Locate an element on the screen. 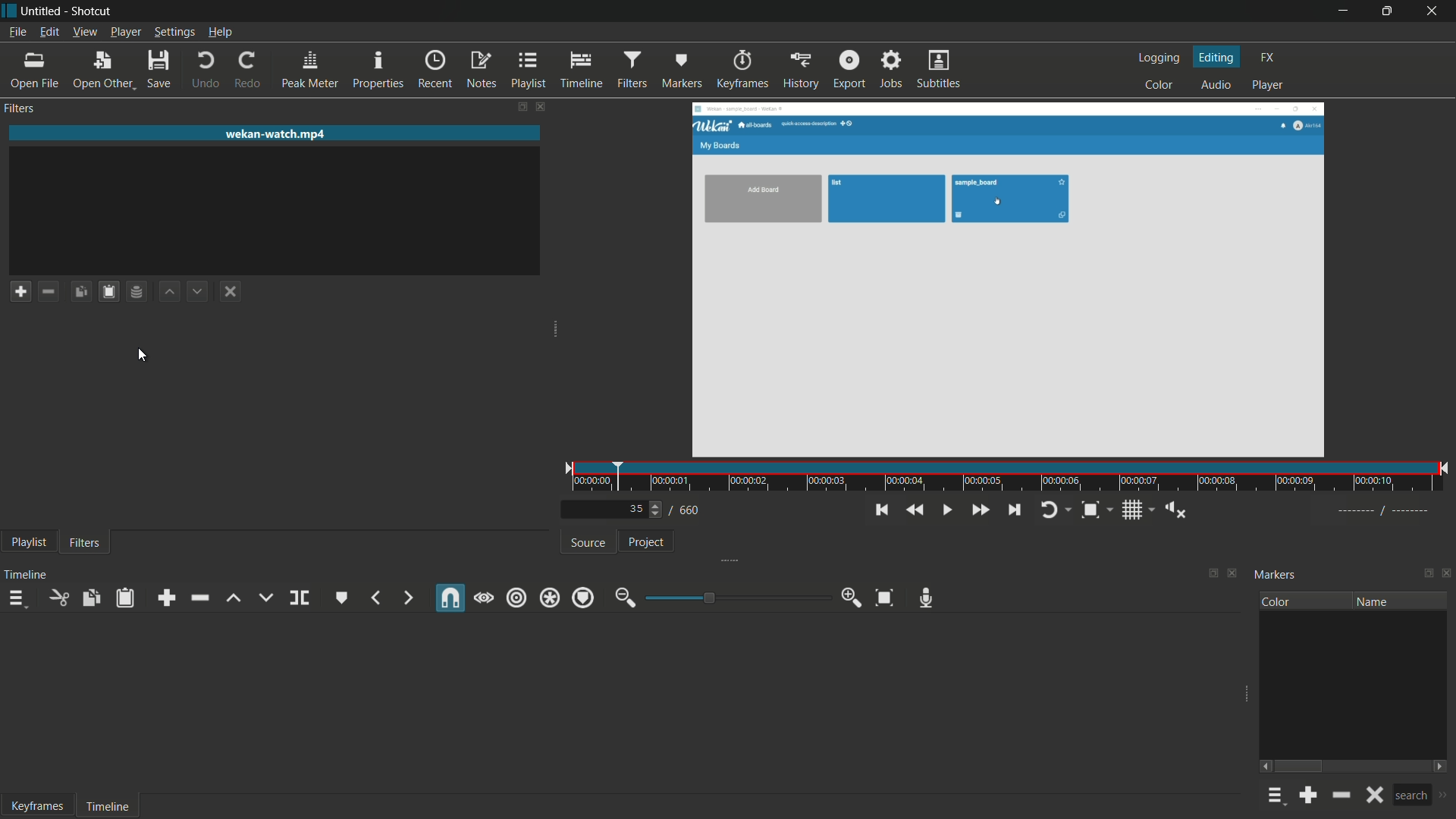 The height and width of the screenshot is (819, 1456). keyframes is located at coordinates (742, 71).